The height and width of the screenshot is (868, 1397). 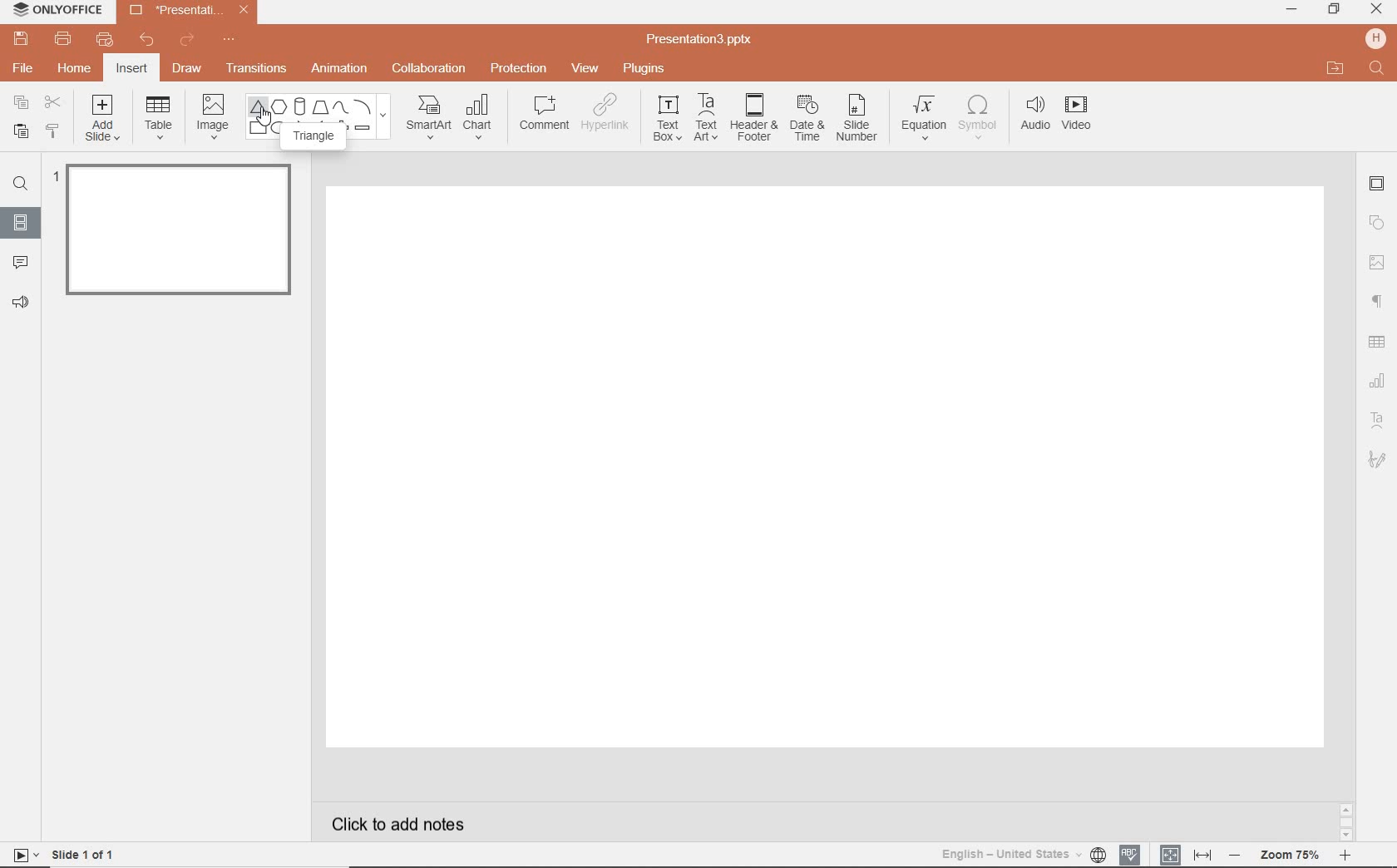 I want to click on EQUATION, so click(x=925, y=121).